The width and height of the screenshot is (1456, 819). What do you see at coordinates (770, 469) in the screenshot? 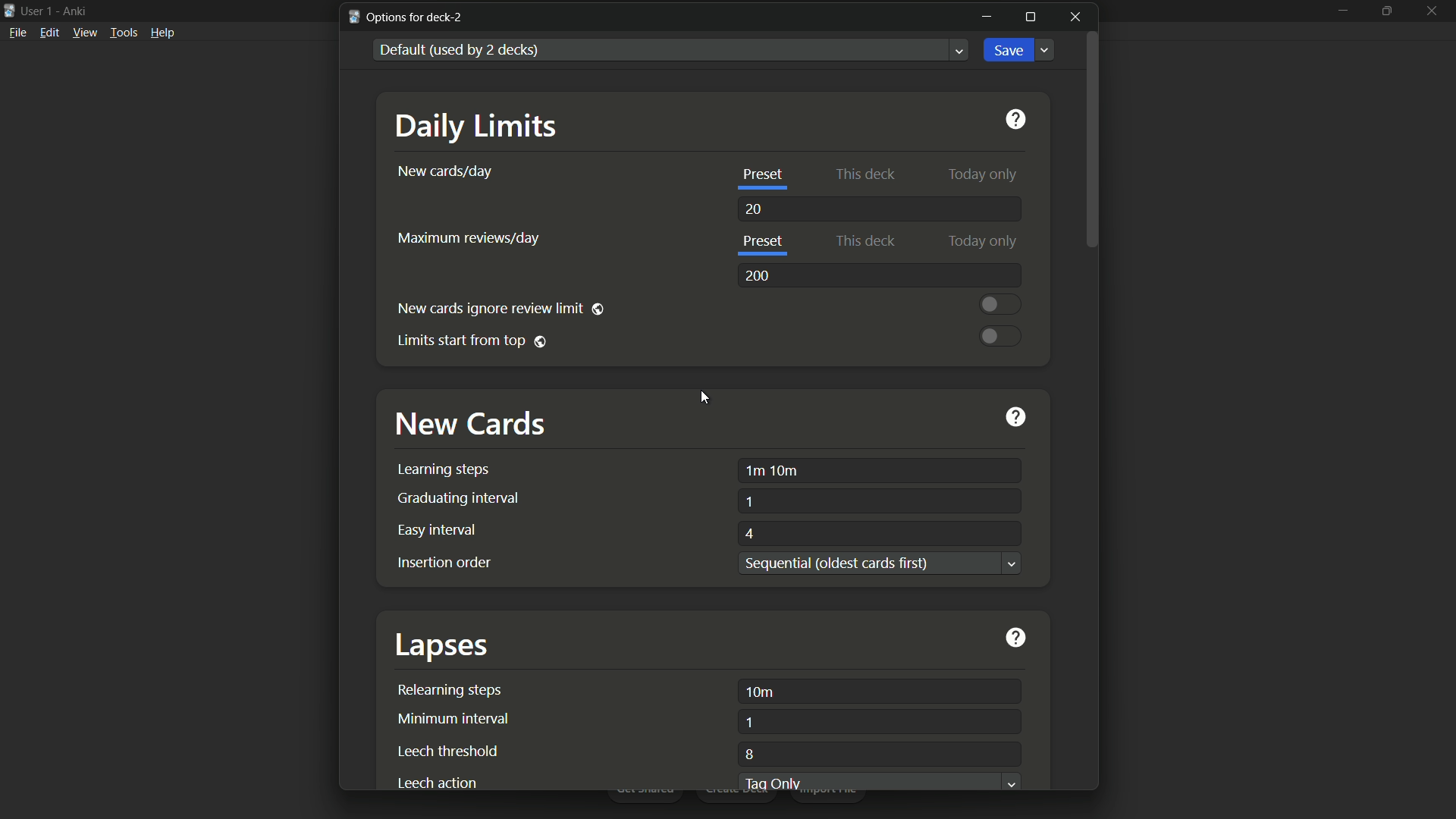
I see `1m 10m` at bounding box center [770, 469].